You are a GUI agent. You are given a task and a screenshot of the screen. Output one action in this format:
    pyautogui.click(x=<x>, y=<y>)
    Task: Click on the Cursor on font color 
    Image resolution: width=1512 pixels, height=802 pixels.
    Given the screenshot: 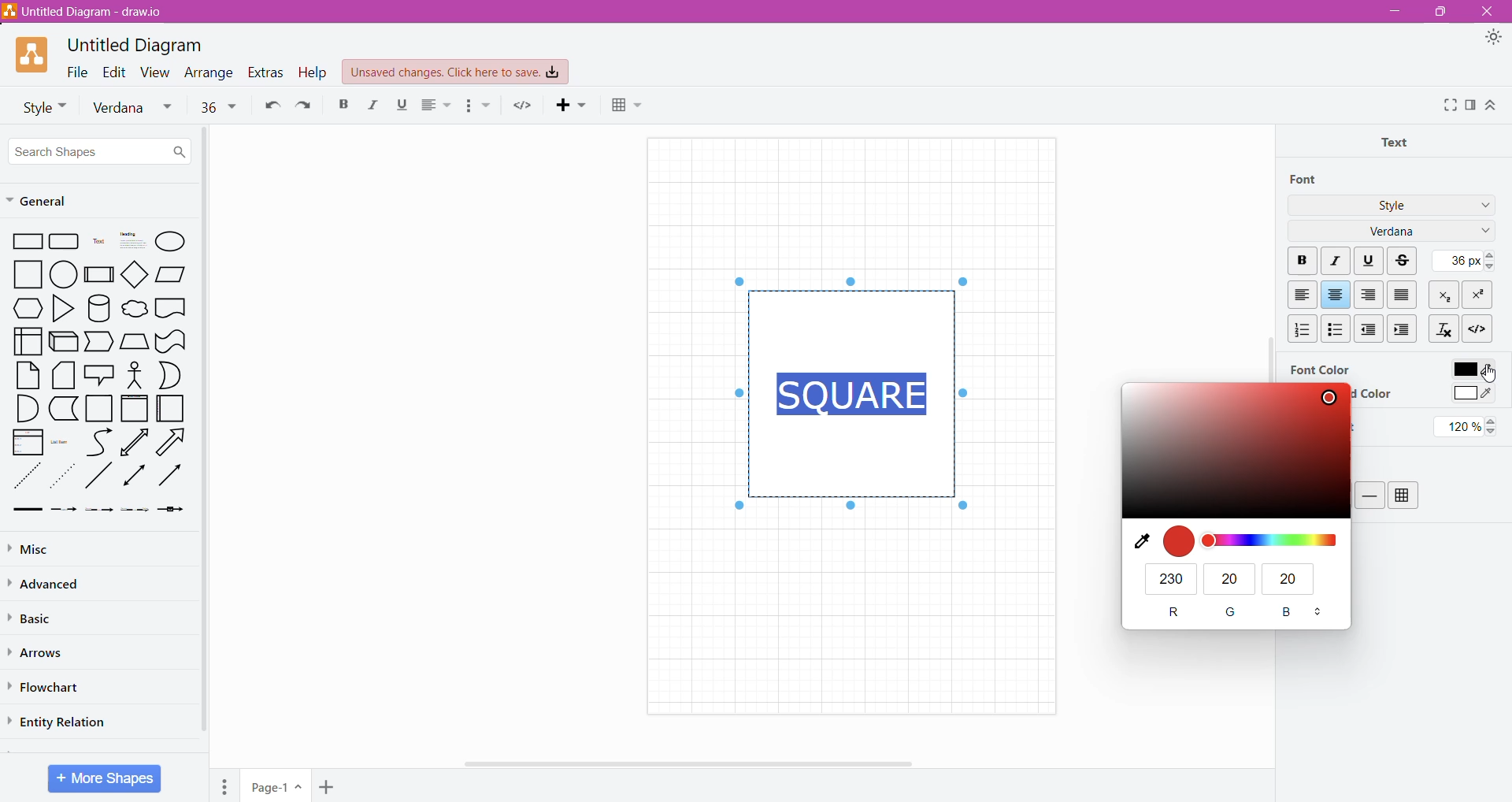 What is the action you would take?
    pyautogui.click(x=1489, y=373)
    